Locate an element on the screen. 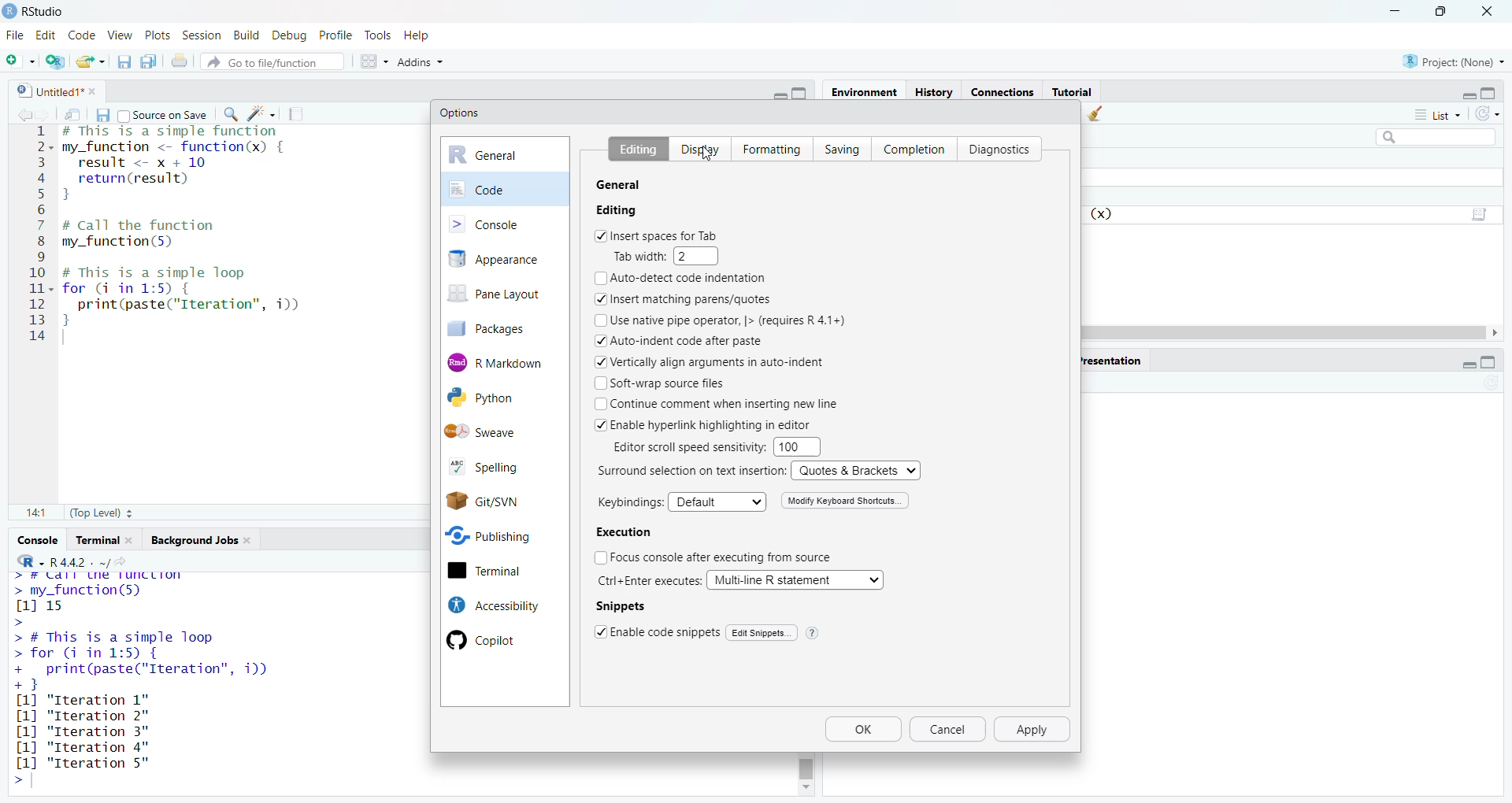 The width and height of the screenshot is (1512, 803). pane layout is located at coordinates (499, 295).